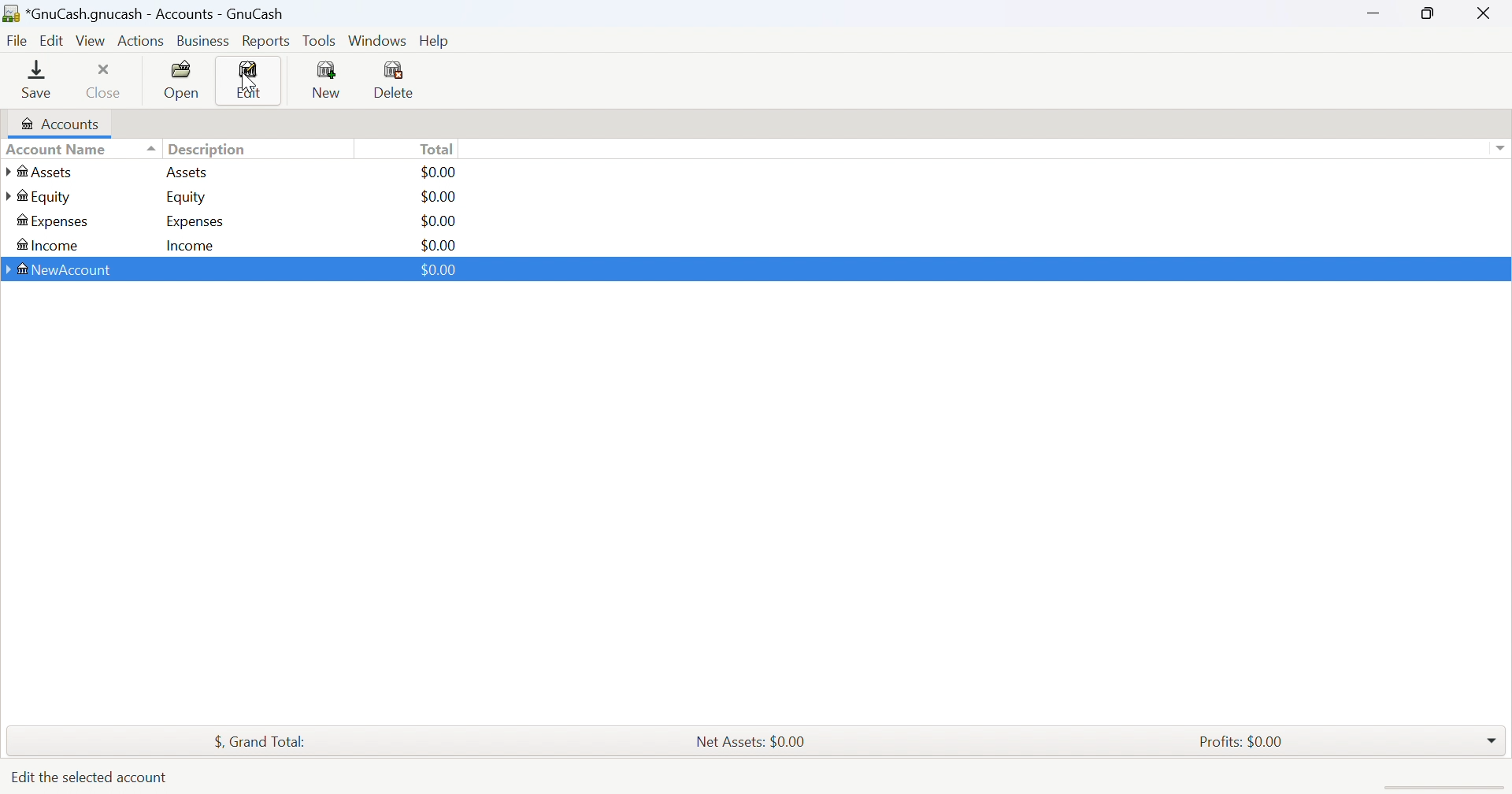  I want to click on Account Name, so click(80, 150).